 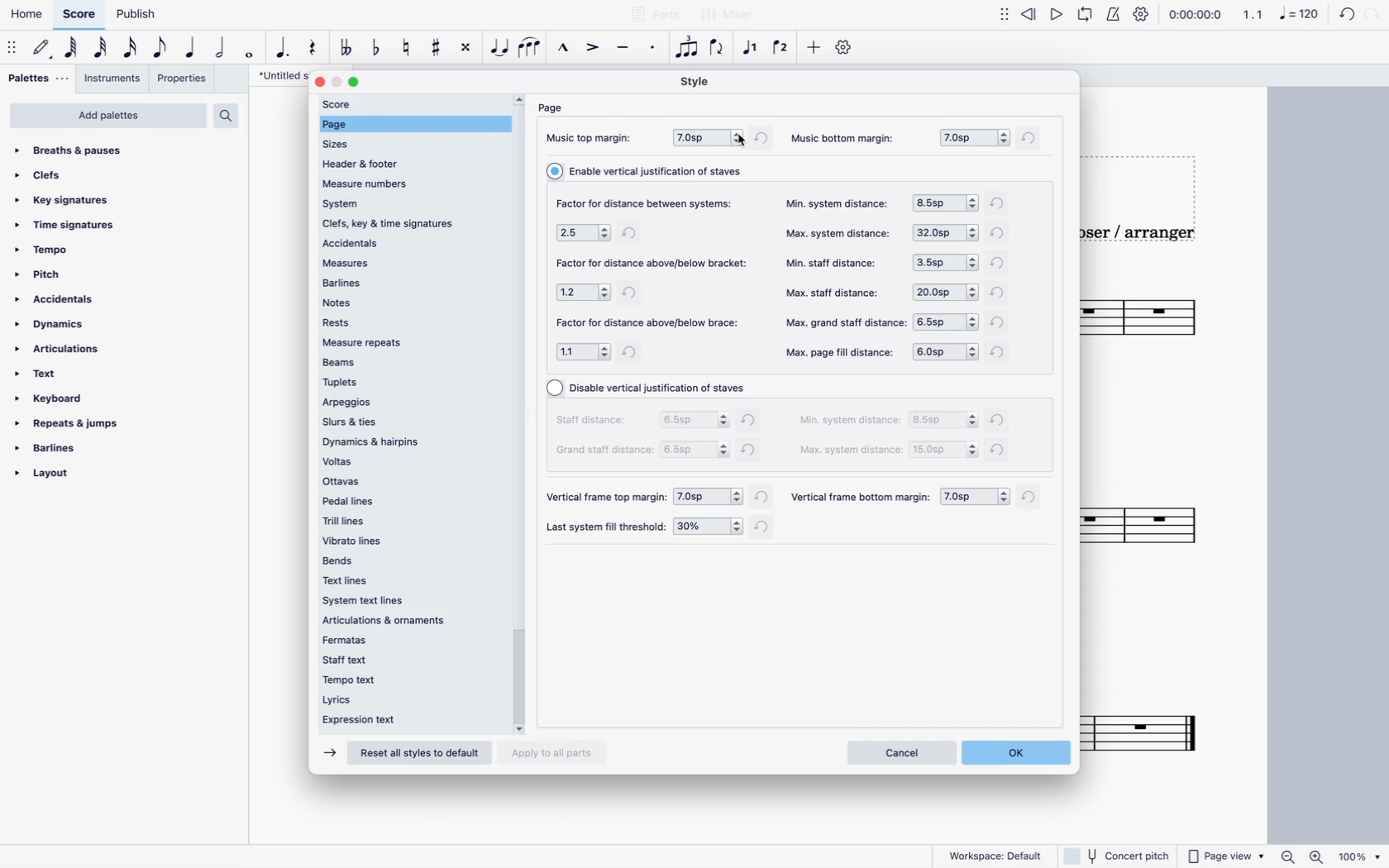 What do you see at coordinates (583, 354) in the screenshot?
I see `options` at bounding box center [583, 354].